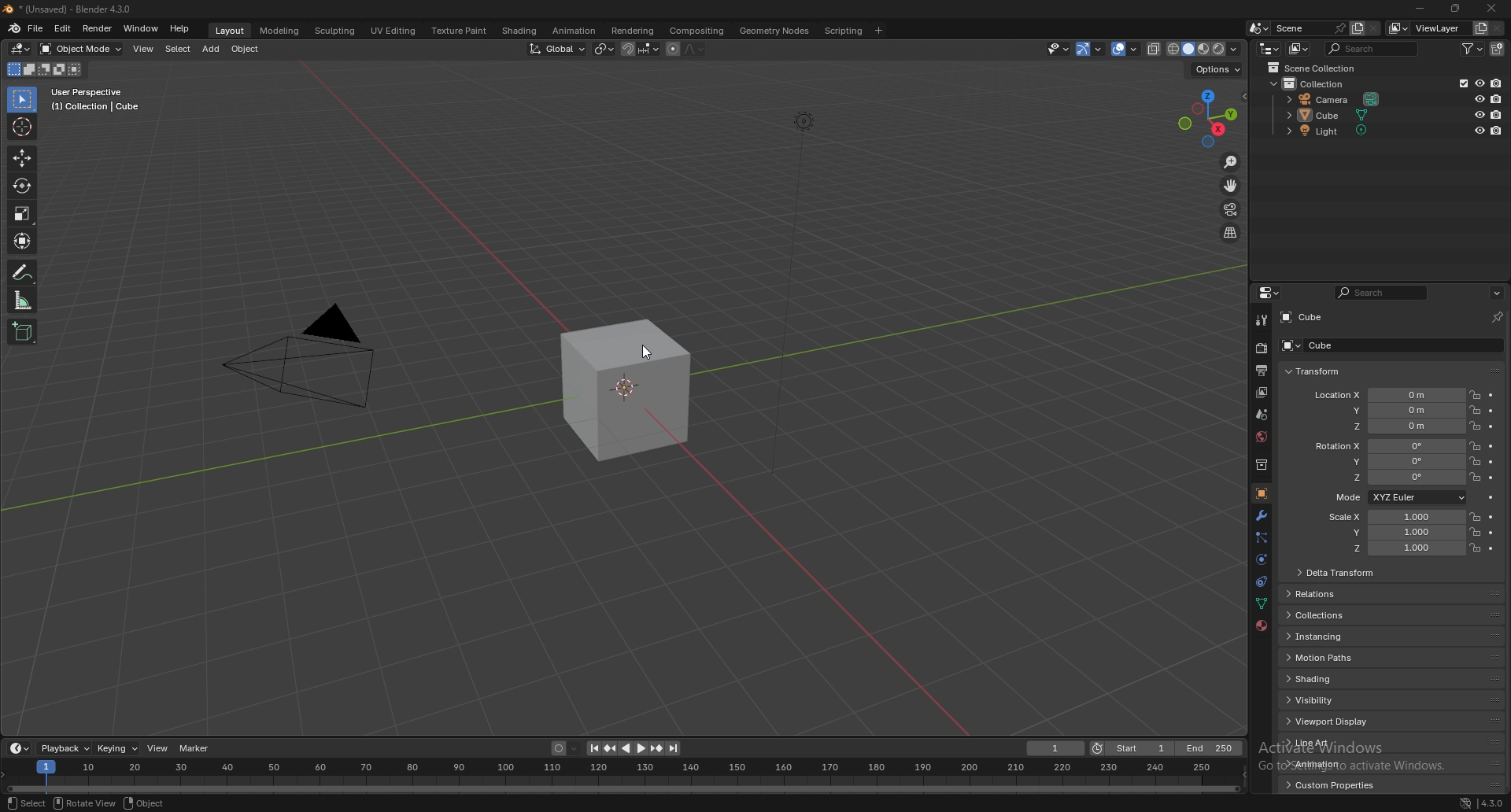  I want to click on display mode, so click(1299, 48).